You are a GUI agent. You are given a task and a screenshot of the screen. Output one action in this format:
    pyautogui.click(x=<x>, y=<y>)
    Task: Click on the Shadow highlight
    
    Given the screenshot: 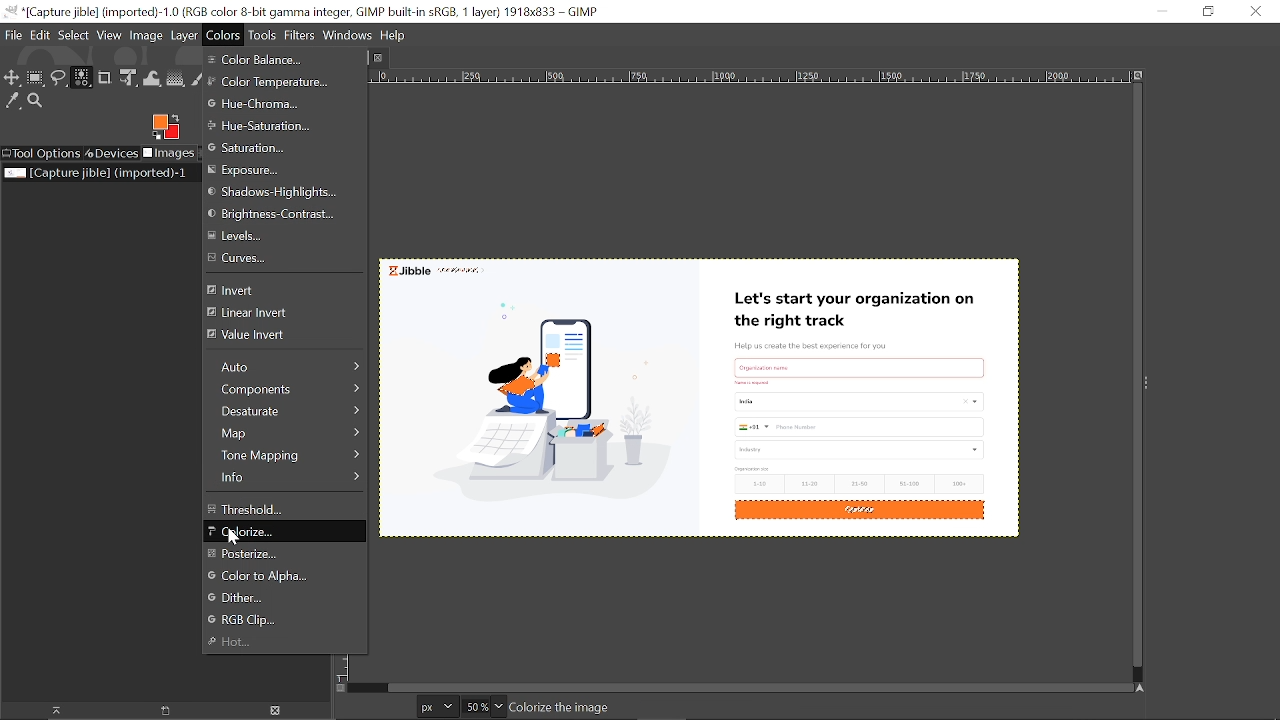 What is the action you would take?
    pyautogui.click(x=274, y=193)
    